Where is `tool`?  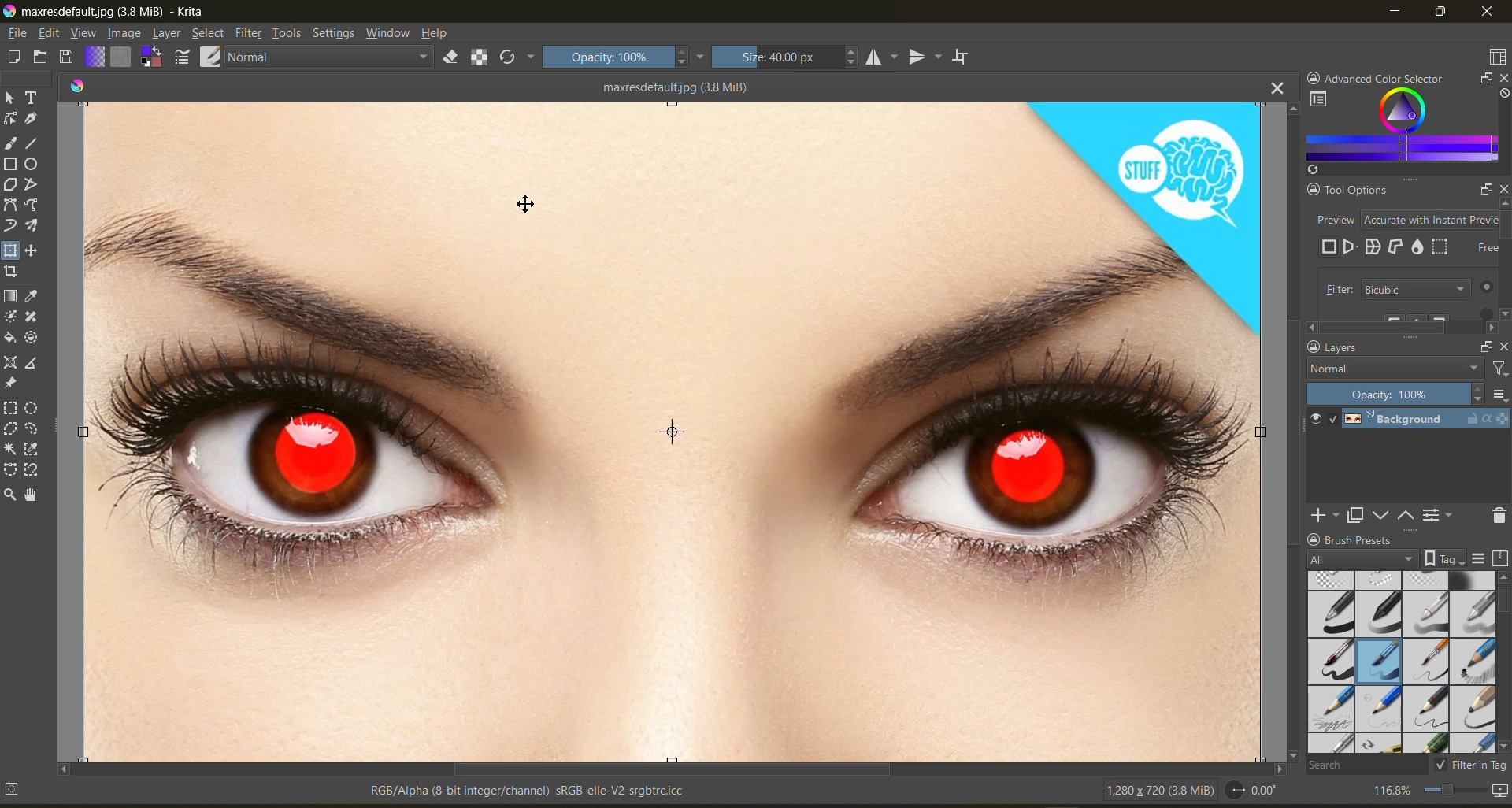 tool is located at coordinates (33, 470).